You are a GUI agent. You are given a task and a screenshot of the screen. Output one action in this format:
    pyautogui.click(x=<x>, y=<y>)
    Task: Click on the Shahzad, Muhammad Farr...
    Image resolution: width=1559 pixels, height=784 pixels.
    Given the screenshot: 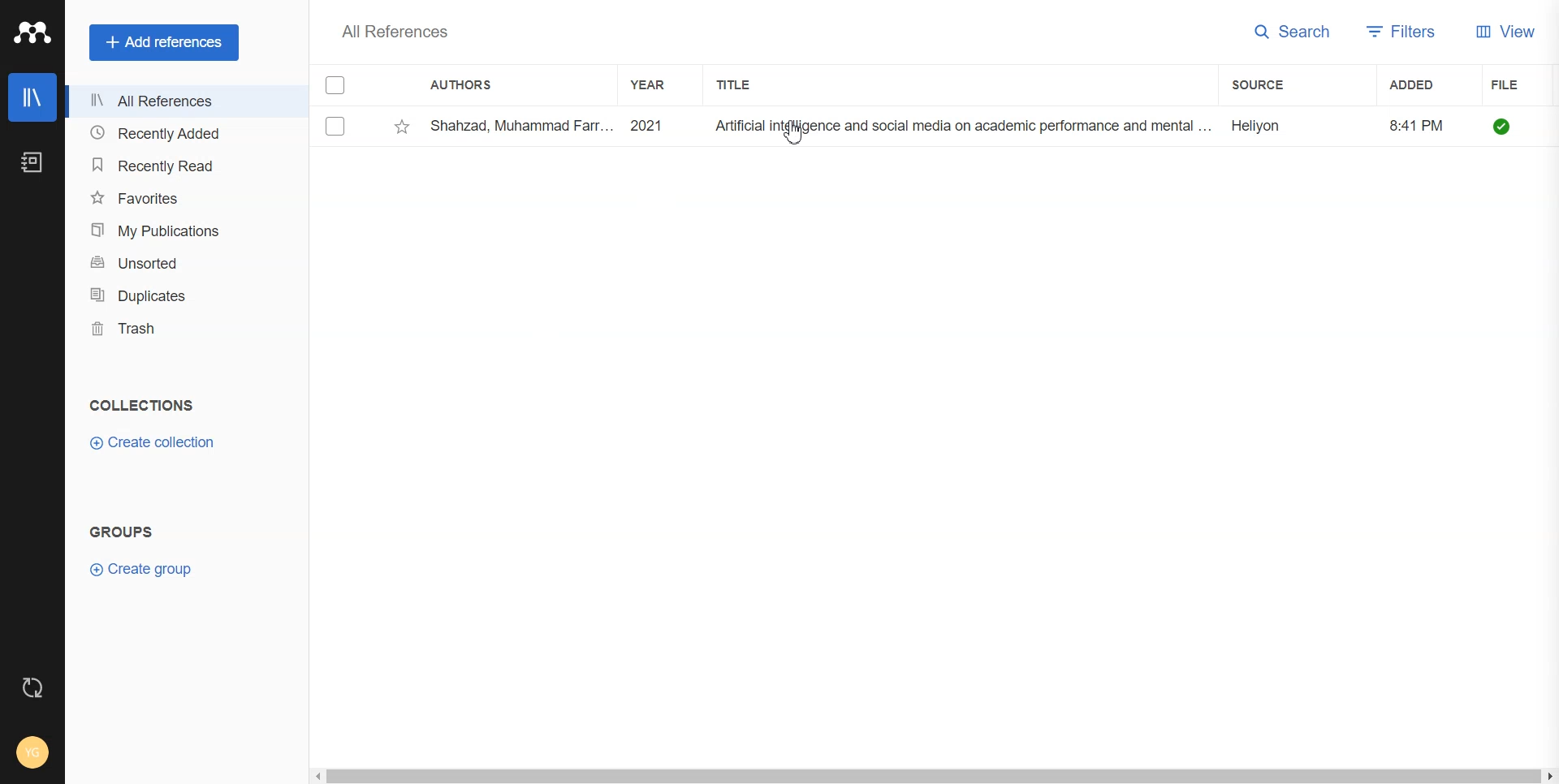 What is the action you would take?
    pyautogui.click(x=520, y=124)
    